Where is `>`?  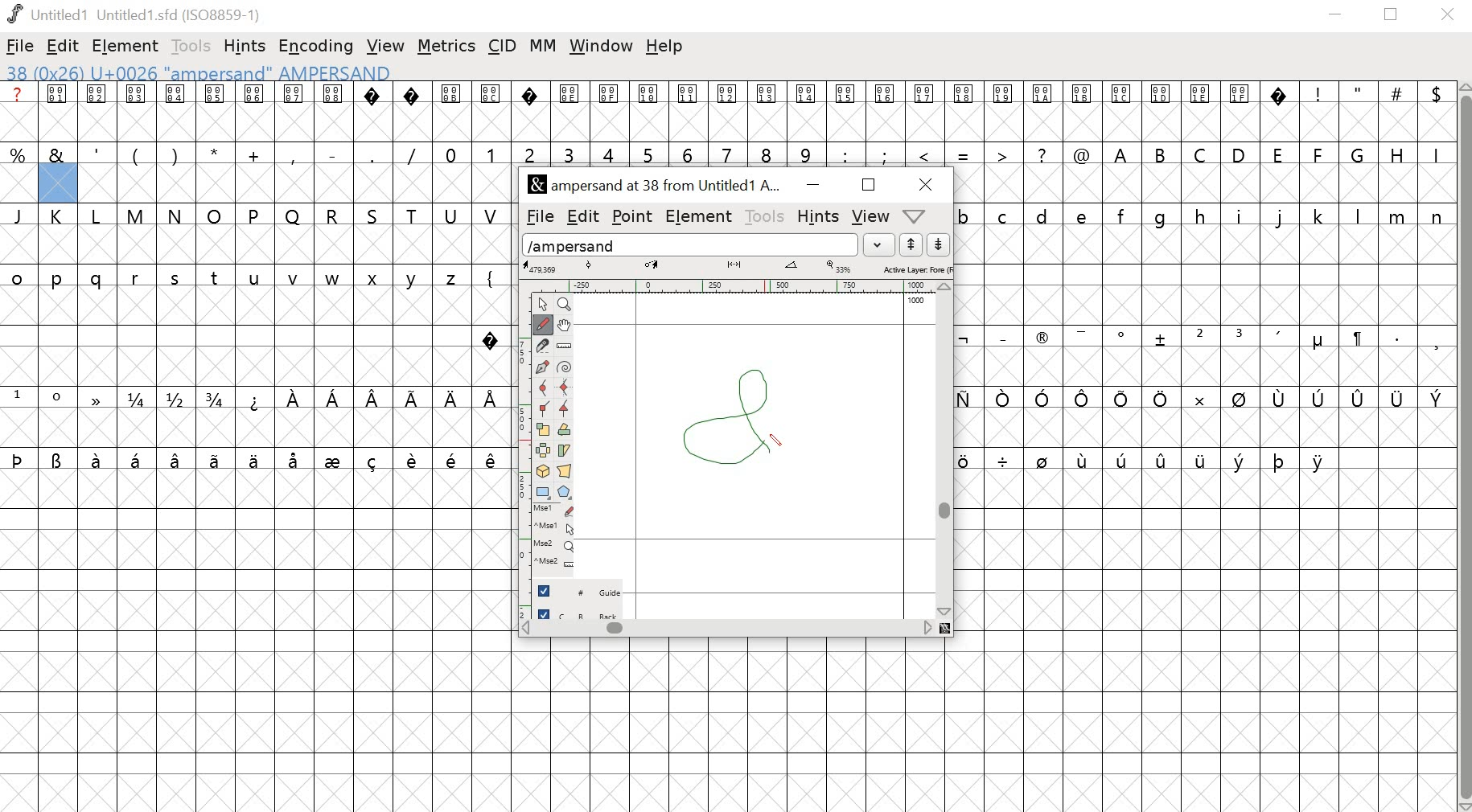
> is located at coordinates (1003, 153).